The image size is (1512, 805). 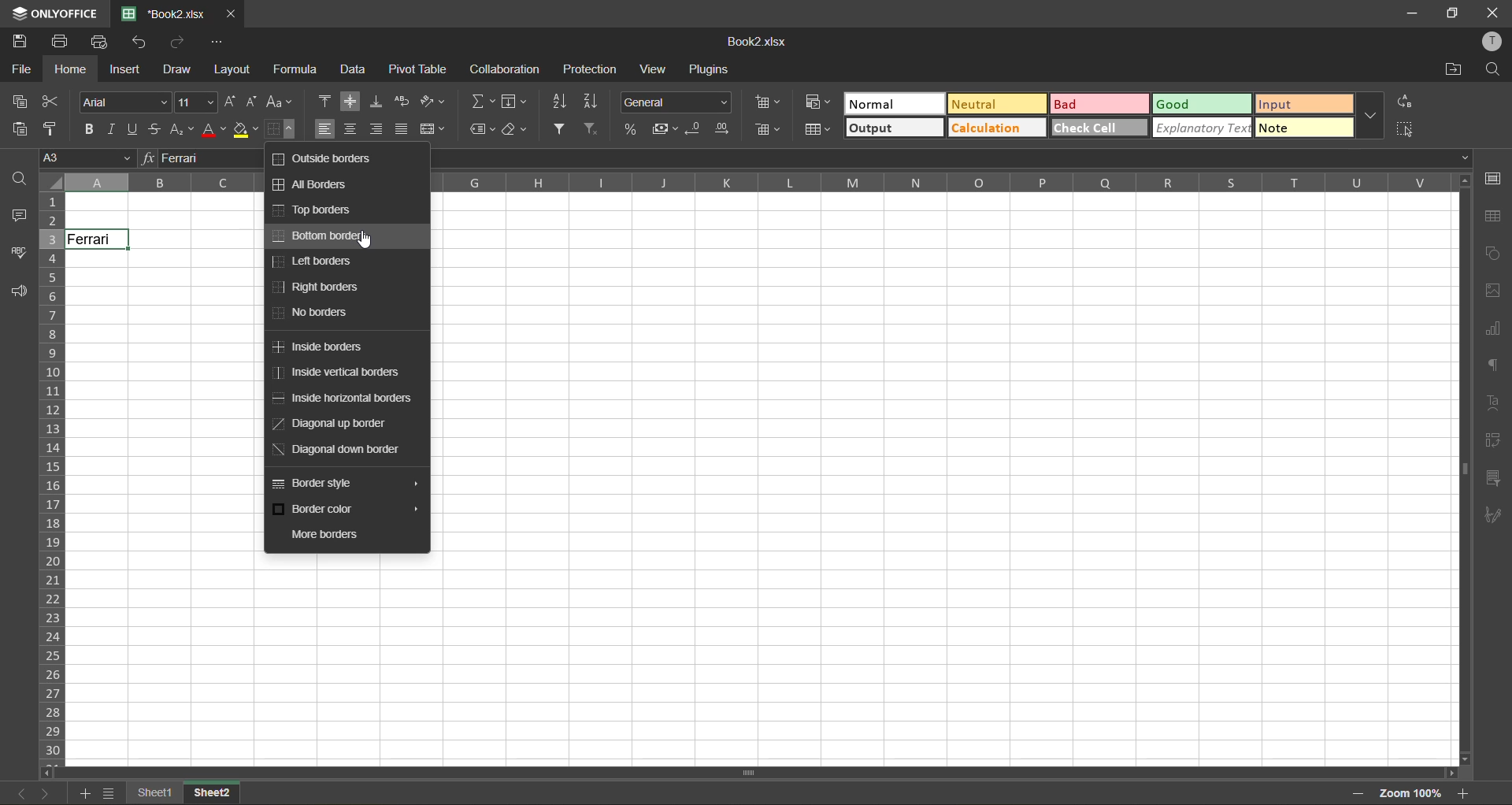 What do you see at coordinates (1492, 330) in the screenshot?
I see `charts` at bounding box center [1492, 330].